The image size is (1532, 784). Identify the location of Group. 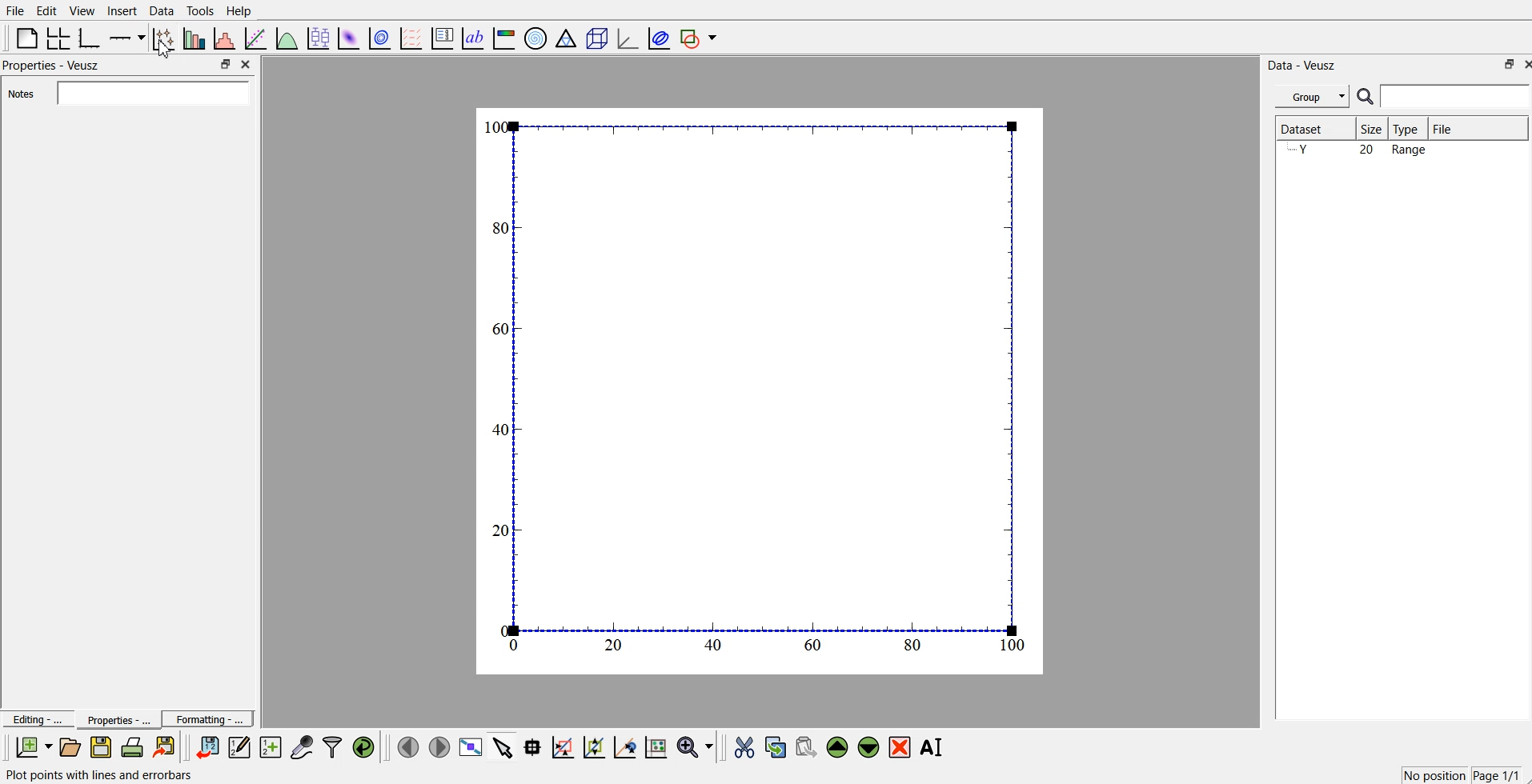
(1309, 97).